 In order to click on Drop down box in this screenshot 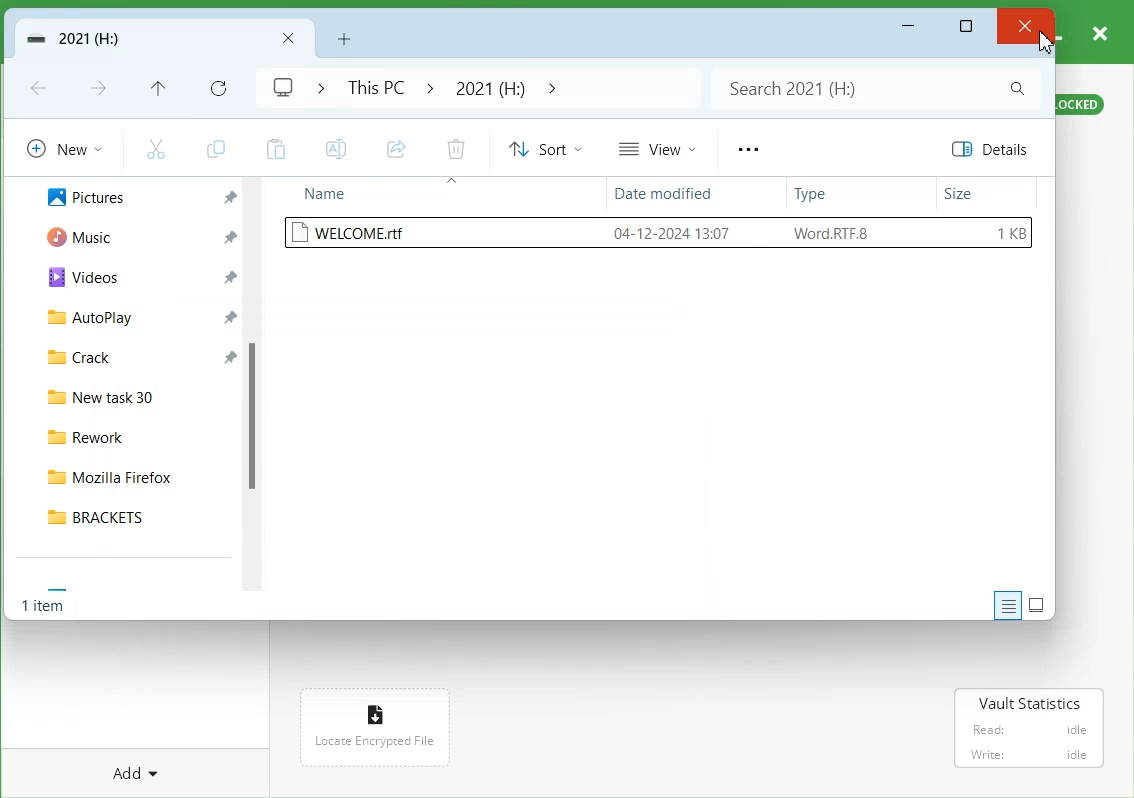, I will do `click(430, 87)`.